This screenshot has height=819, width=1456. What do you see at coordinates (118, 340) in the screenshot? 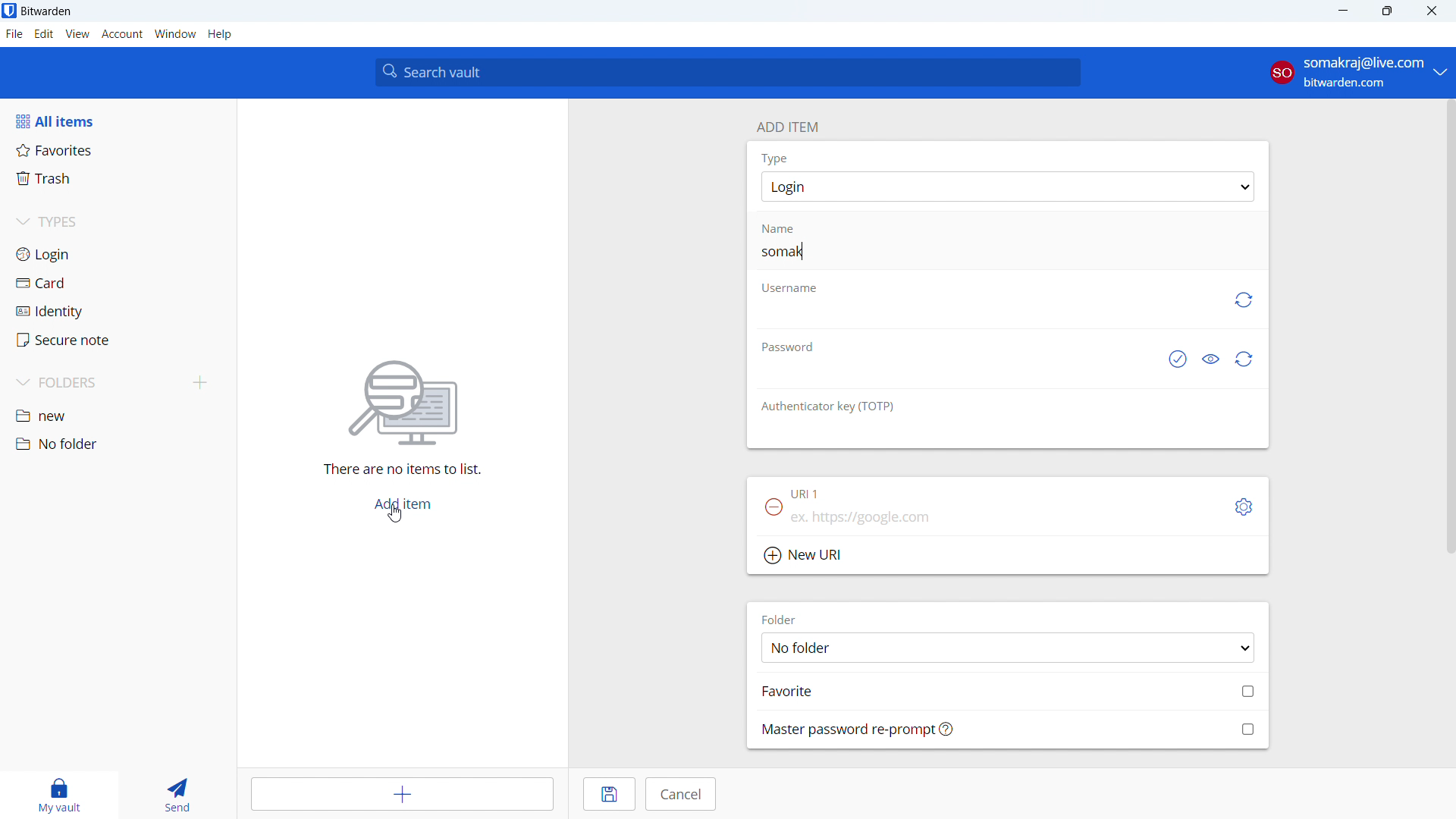
I see `secure note` at bounding box center [118, 340].